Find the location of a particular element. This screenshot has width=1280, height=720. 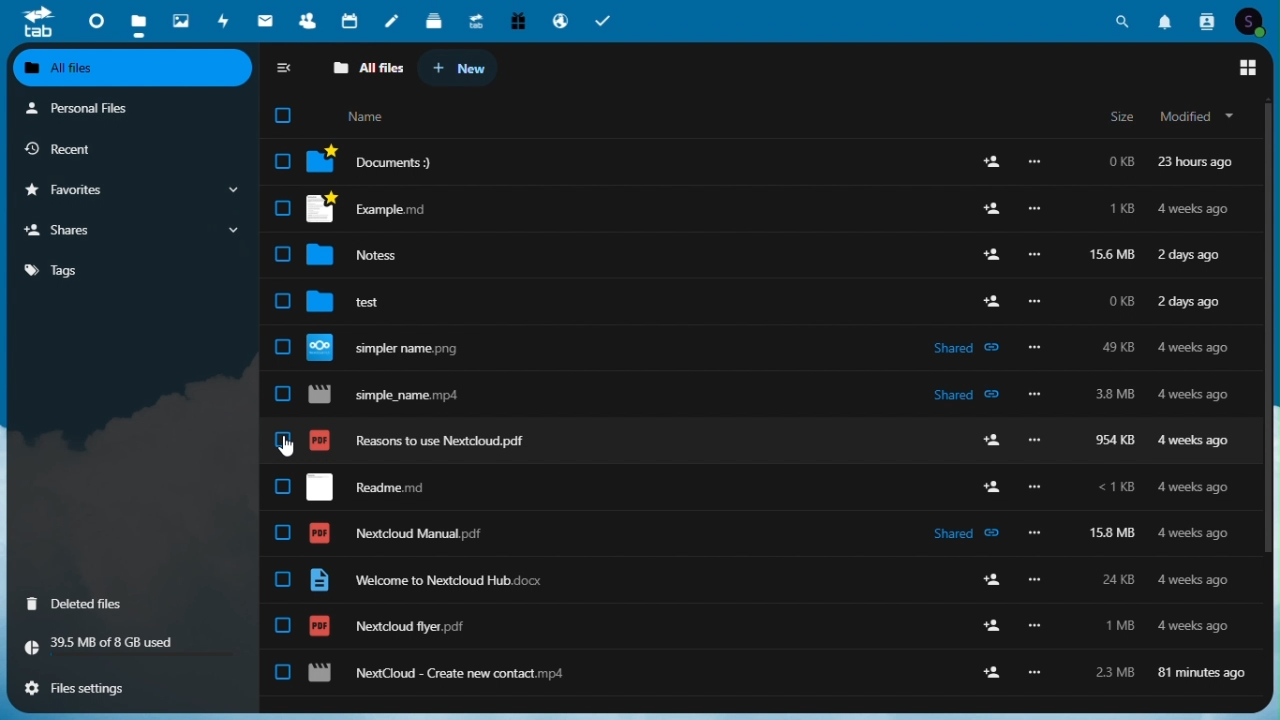

contacts is located at coordinates (1205, 20).